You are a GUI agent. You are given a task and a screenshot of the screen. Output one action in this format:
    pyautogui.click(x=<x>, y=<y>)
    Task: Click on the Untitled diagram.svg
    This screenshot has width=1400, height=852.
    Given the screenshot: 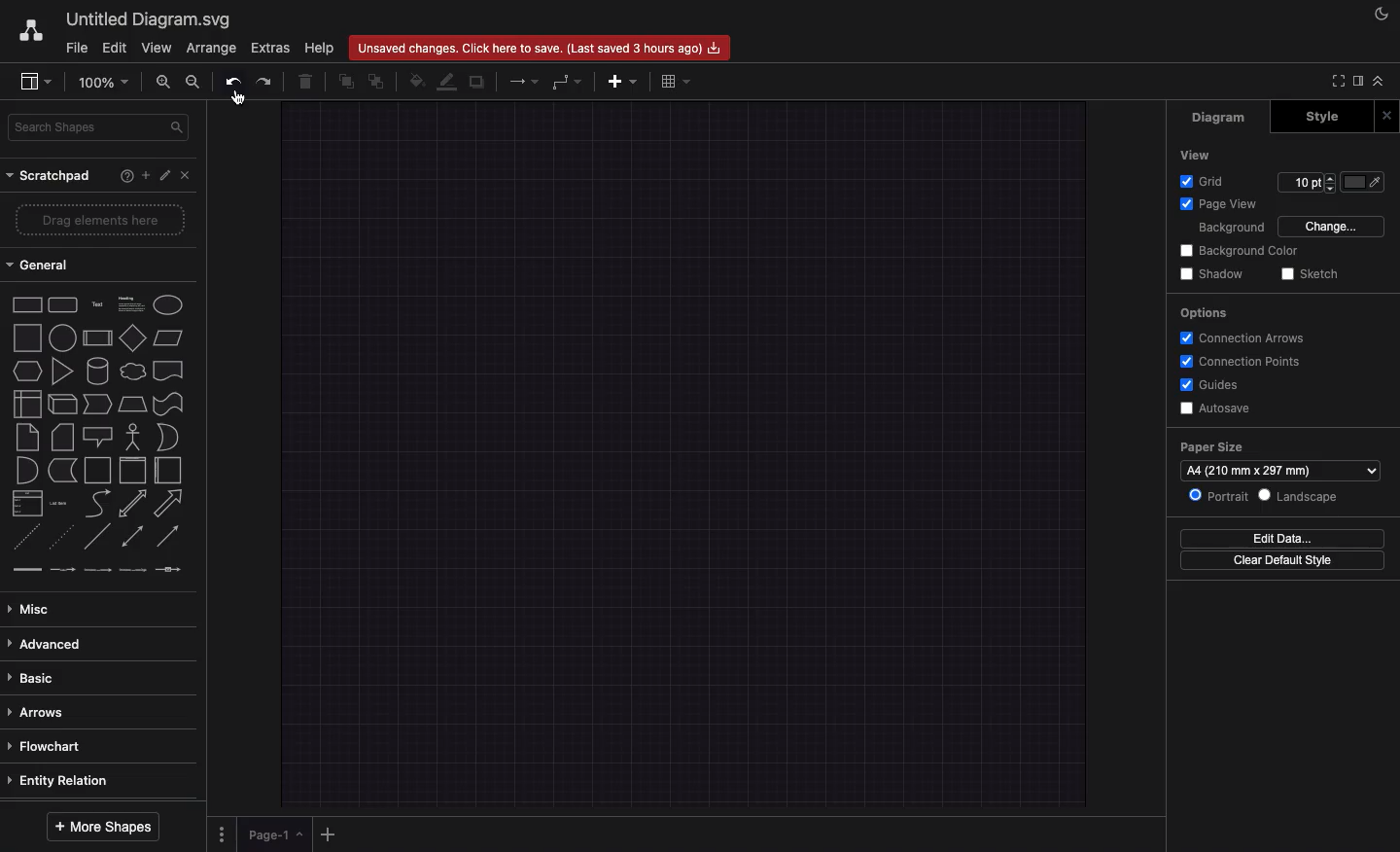 What is the action you would take?
    pyautogui.click(x=152, y=20)
    